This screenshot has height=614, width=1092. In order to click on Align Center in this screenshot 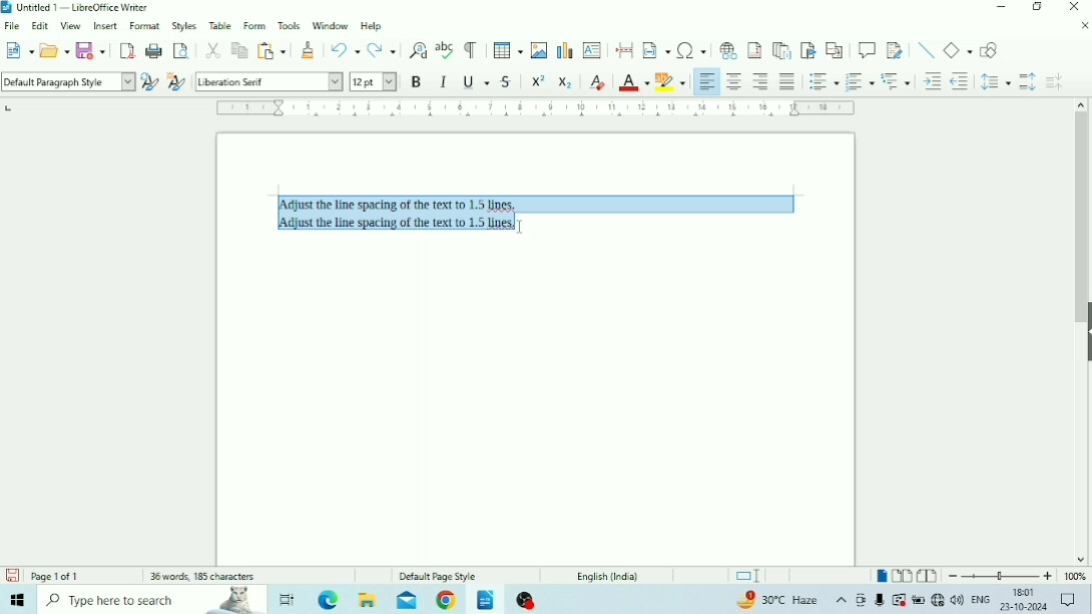, I will do `click(734, 81)`.